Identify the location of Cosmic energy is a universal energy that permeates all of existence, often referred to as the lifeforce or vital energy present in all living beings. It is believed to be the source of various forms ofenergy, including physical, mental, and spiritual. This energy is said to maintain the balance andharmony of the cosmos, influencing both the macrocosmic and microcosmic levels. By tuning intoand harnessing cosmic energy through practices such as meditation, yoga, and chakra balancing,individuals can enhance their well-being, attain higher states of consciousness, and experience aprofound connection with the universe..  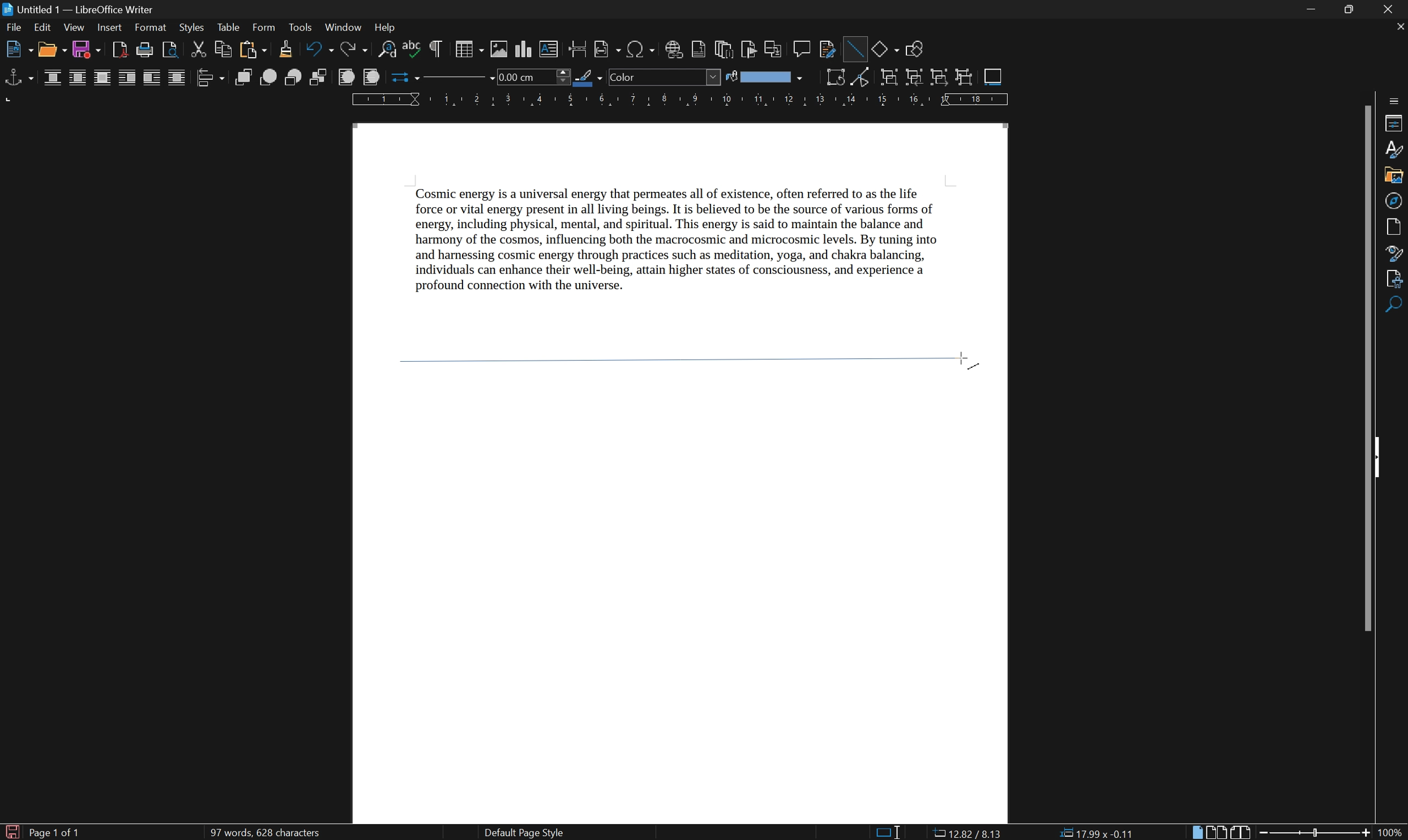
(697, 246).